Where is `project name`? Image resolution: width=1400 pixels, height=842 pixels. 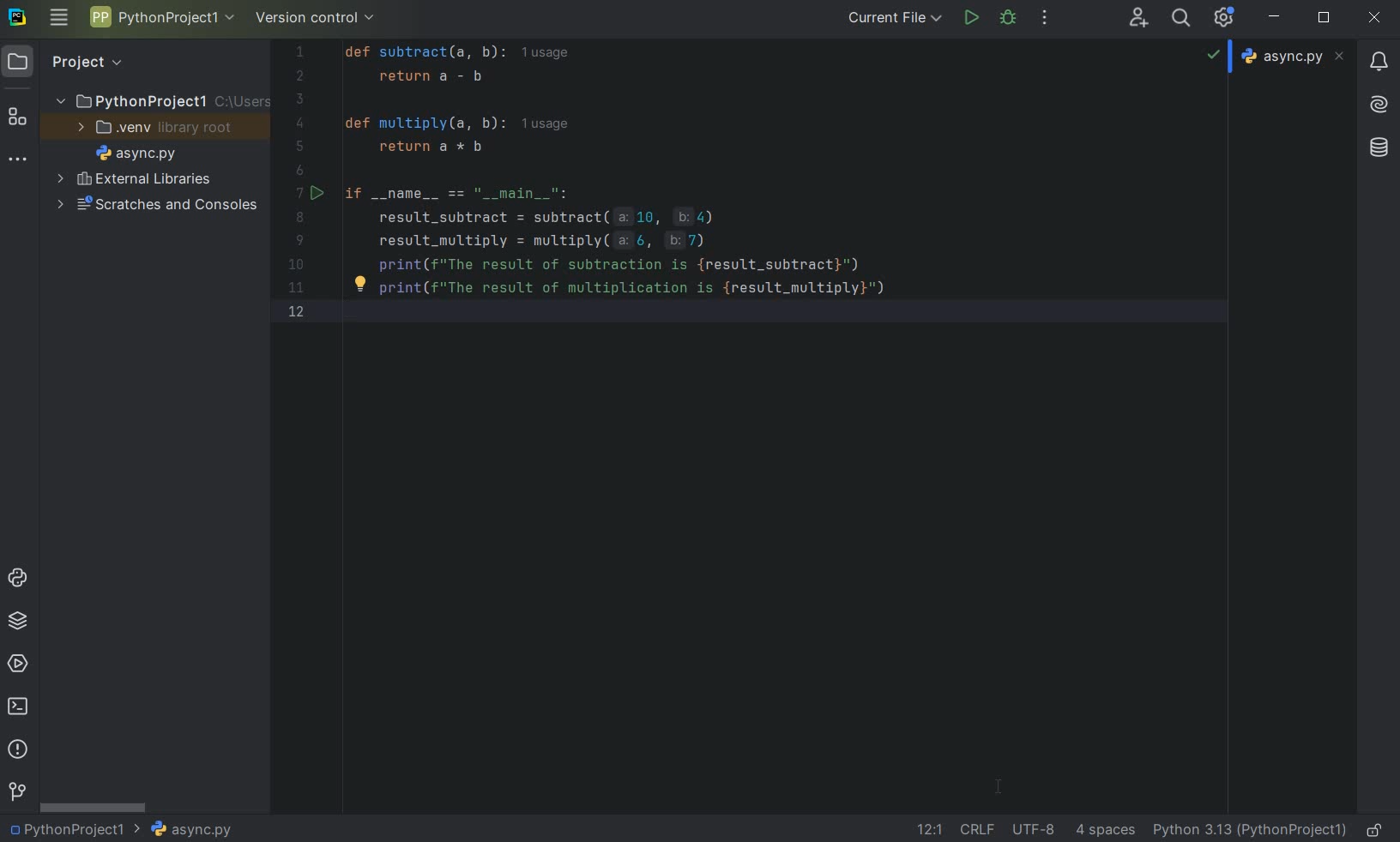
project name is located at coordinates (163, 102).